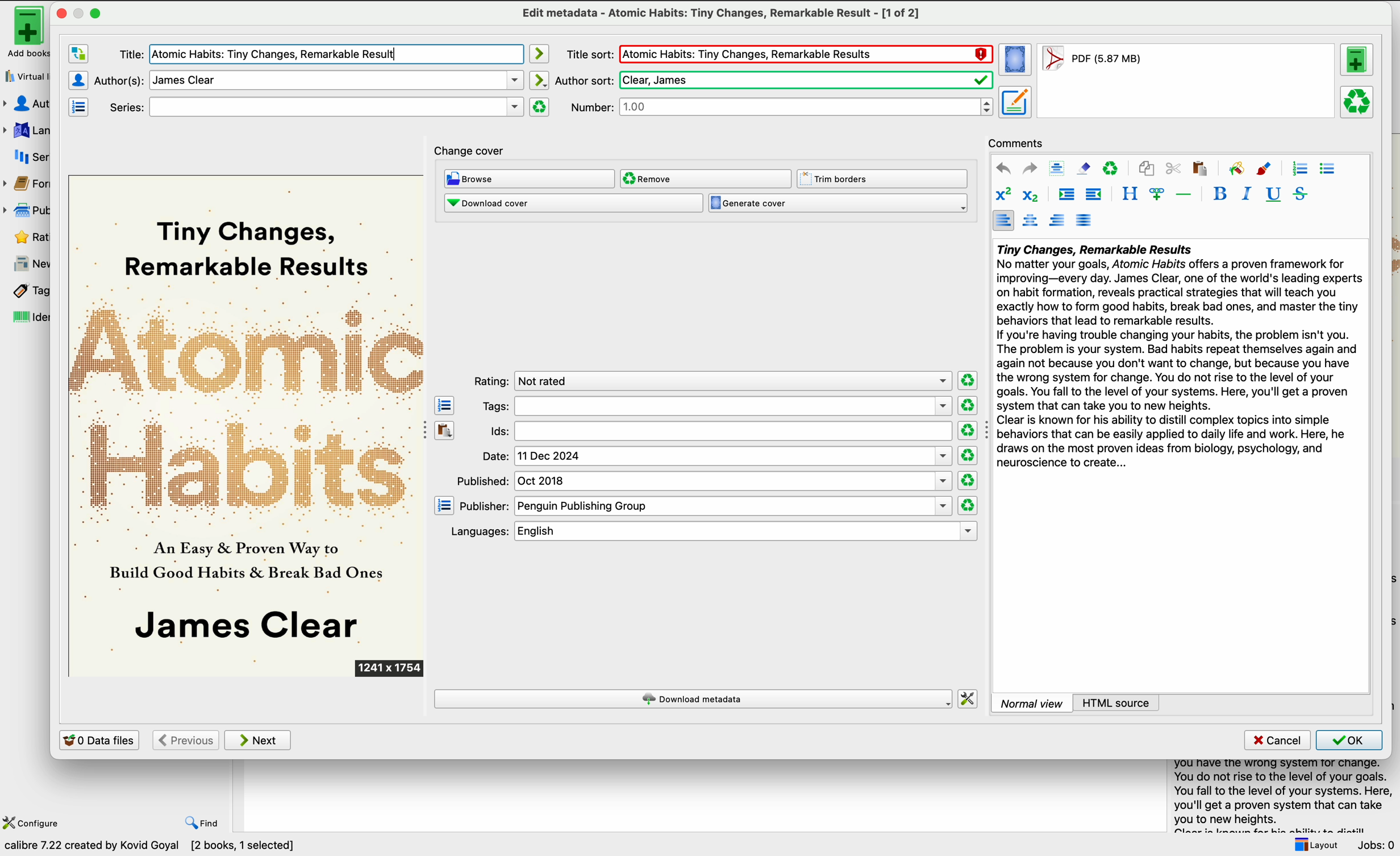 Image resolution: width=1400 pixels, height=856 pixels. I want to click on undo, so click(1003, 168).